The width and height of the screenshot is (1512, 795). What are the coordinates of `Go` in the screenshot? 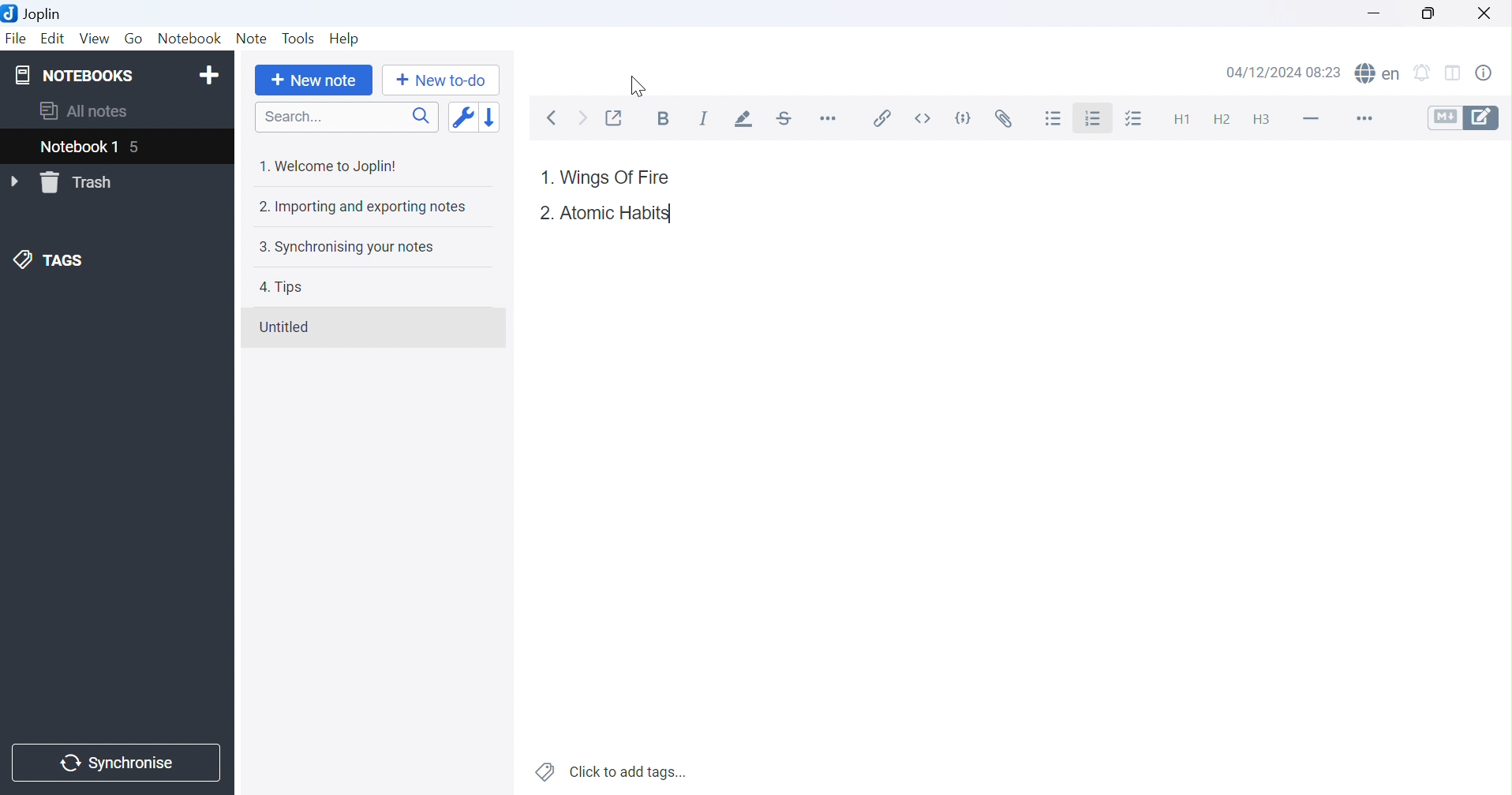 It's located at (135, 39).